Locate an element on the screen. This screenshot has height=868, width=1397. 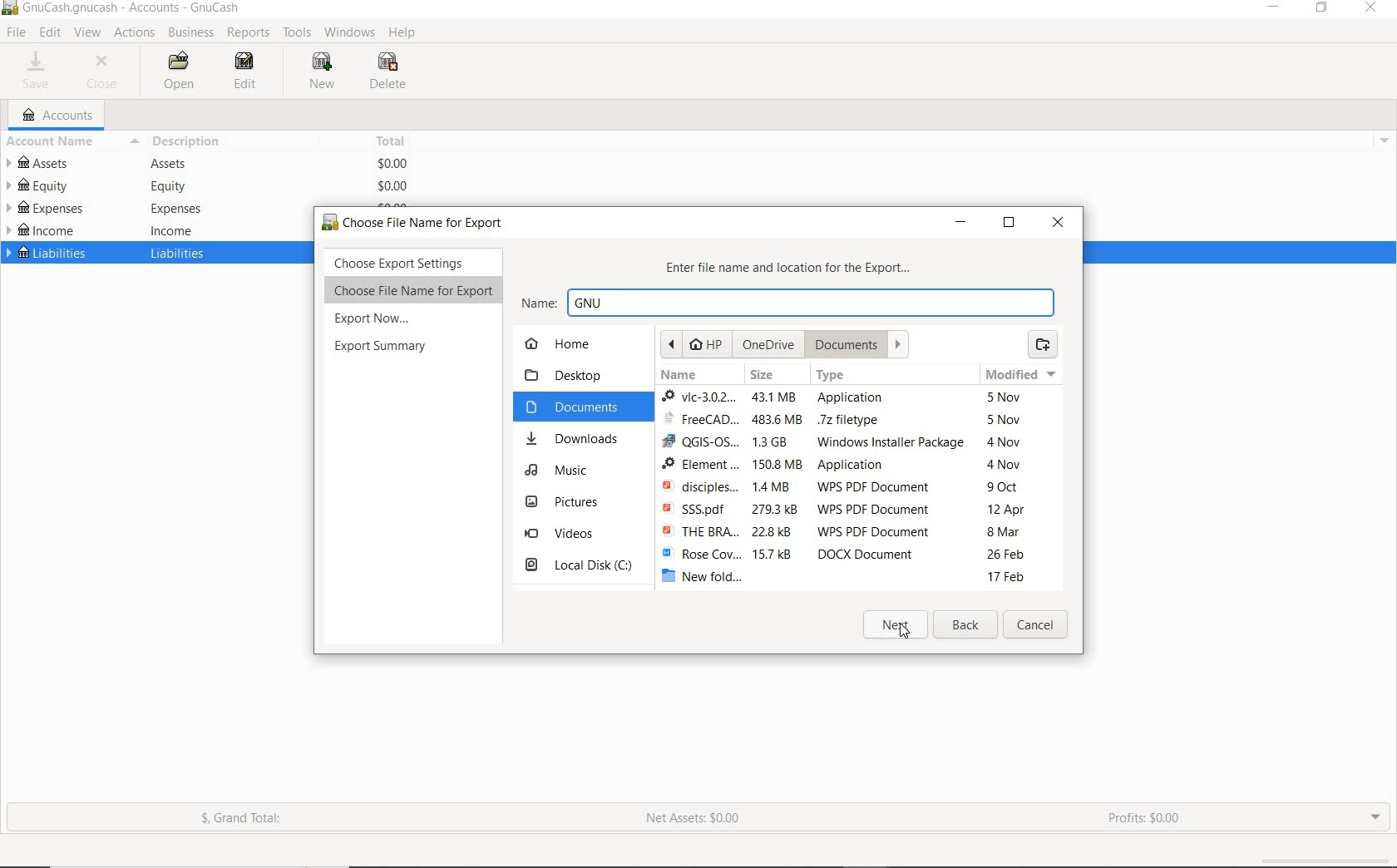
GRAND TOTAL is located at coordinates (240, 819).